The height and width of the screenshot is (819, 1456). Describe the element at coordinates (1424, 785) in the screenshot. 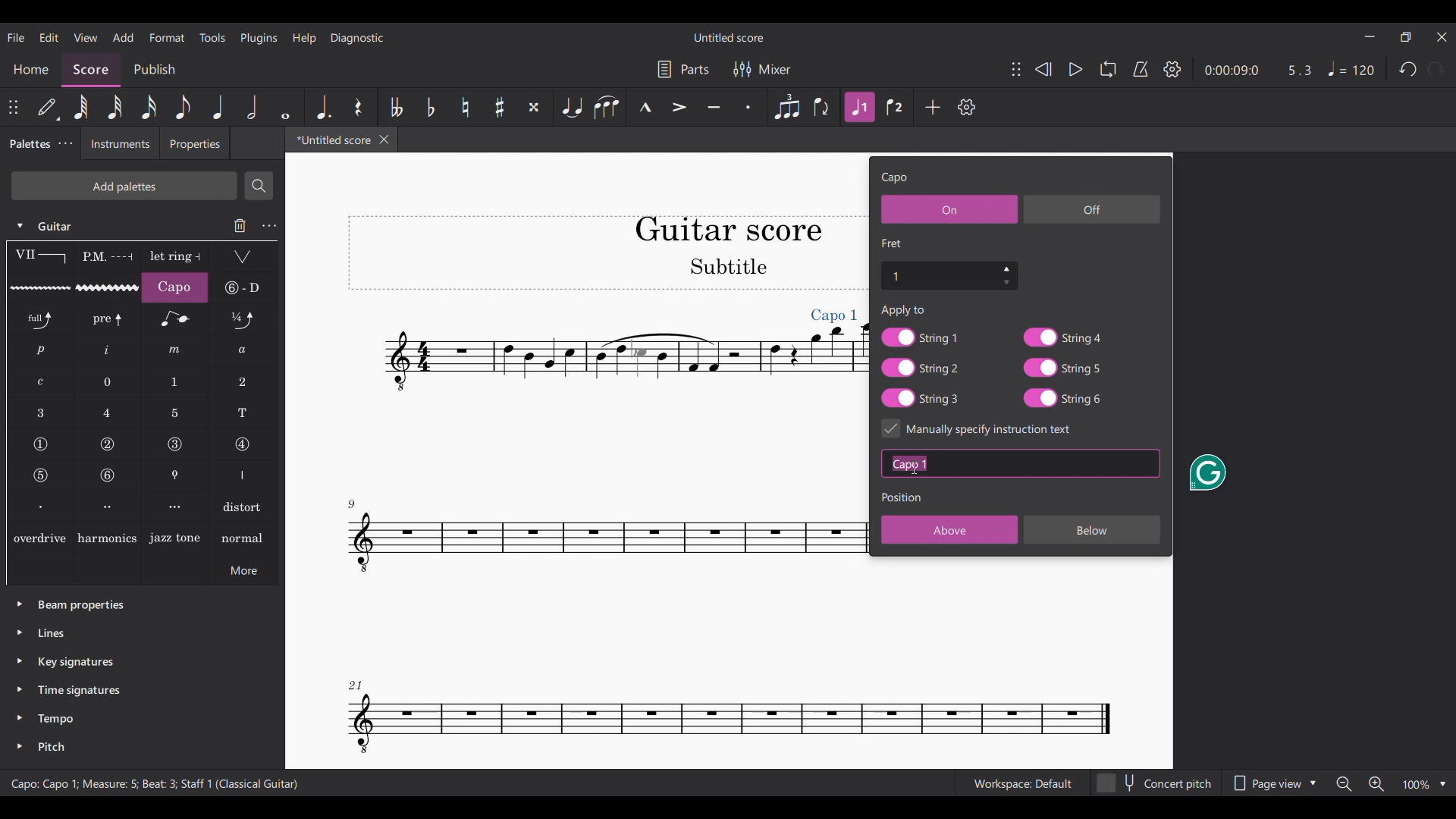

I see `Zoom options` at that location.